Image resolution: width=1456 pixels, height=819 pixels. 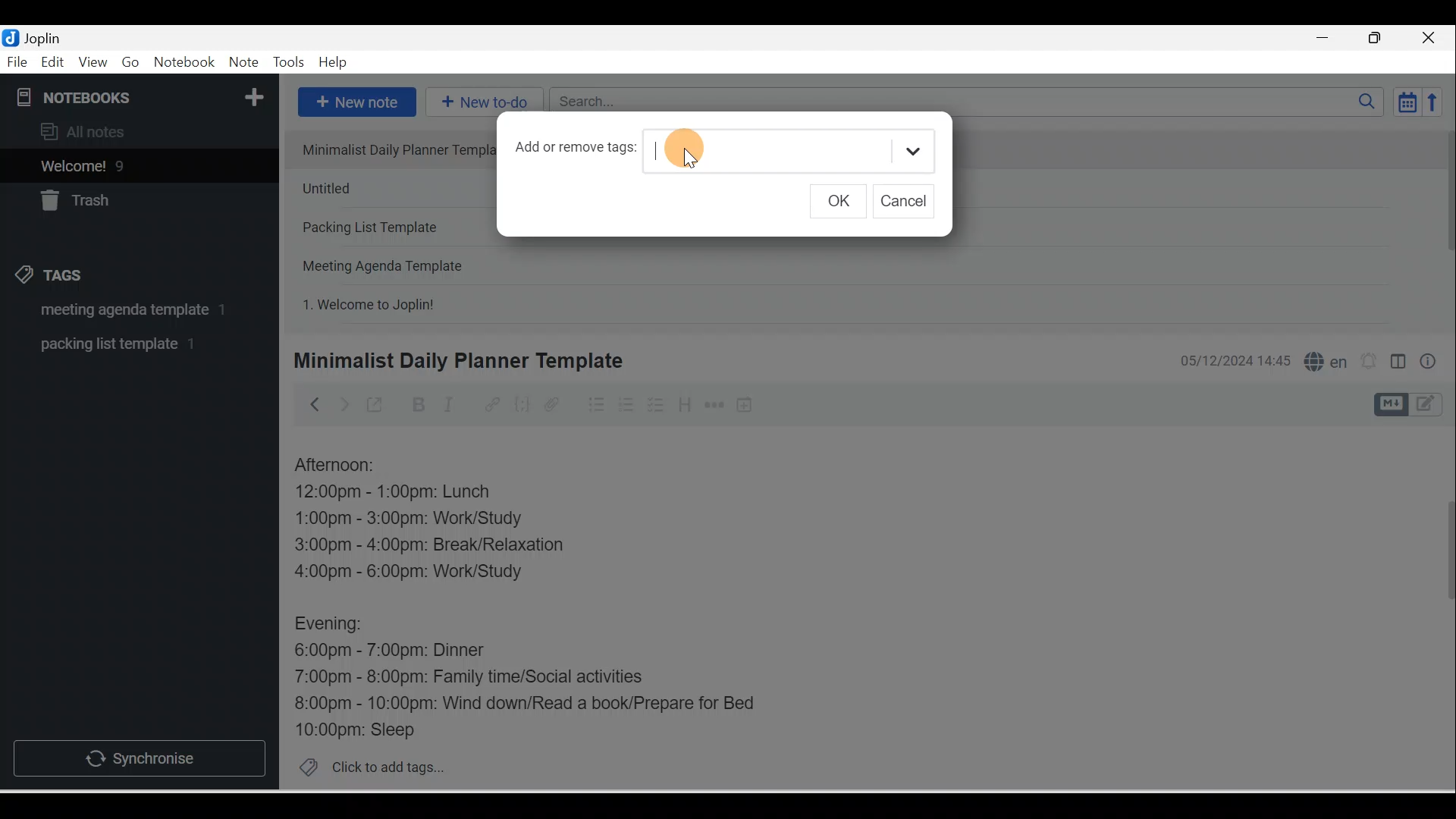 I want to click on Tag 1, so click(x=119, y=311).